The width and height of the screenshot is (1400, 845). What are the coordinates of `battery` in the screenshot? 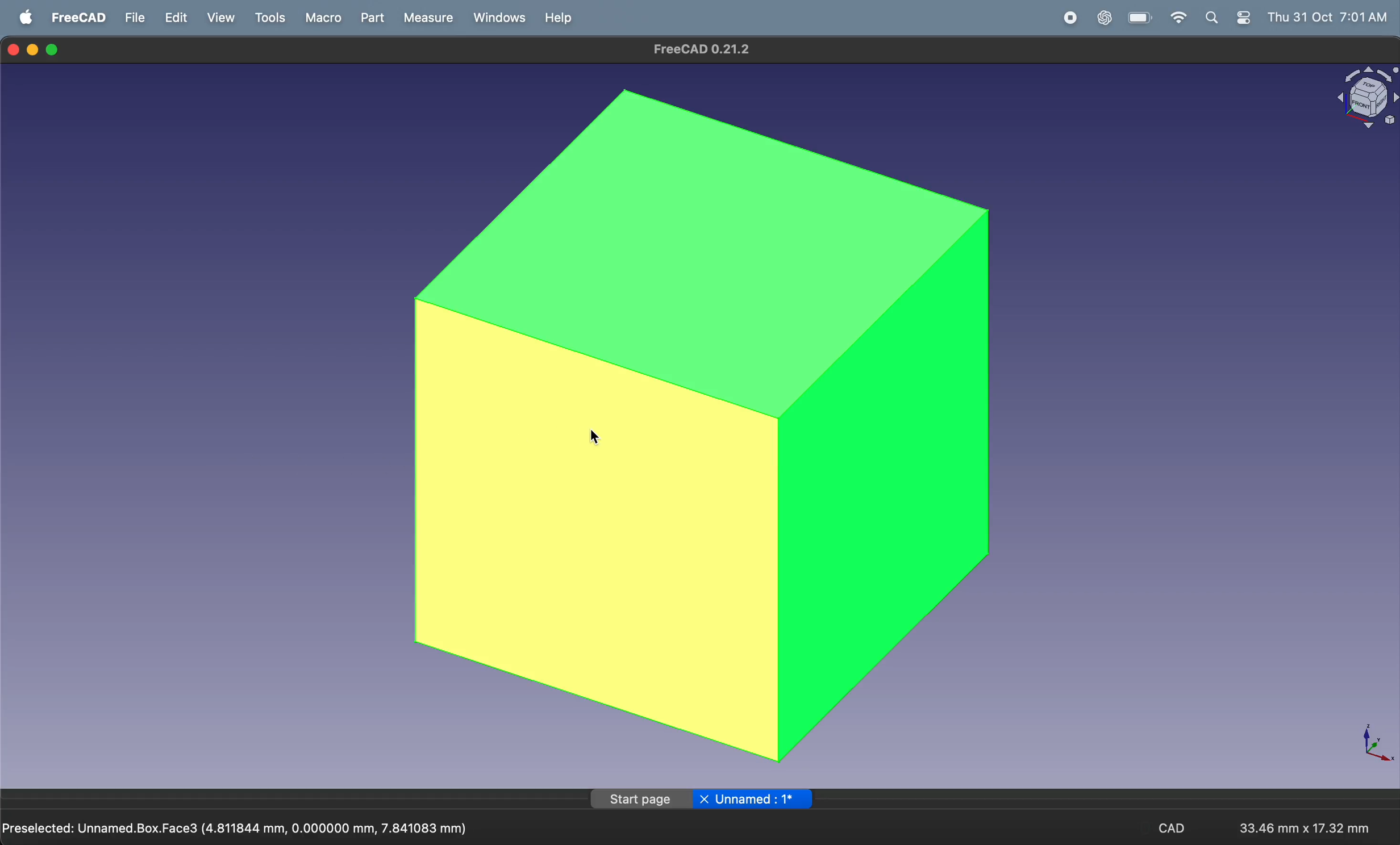 It's located at (1137, 19).